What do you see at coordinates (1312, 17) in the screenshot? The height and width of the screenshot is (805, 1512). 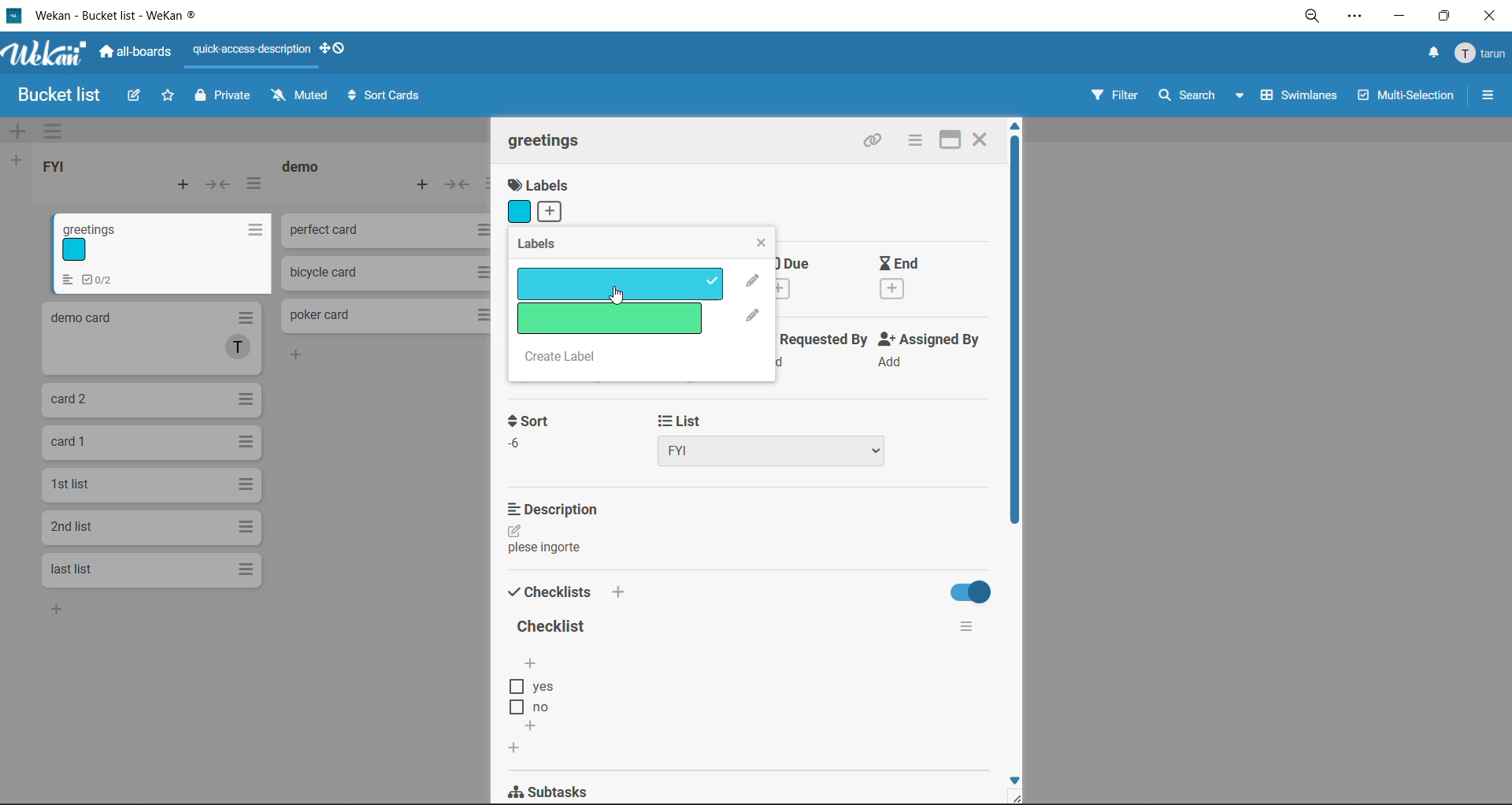 I see `zoom` at bounding box center [1312, 17].